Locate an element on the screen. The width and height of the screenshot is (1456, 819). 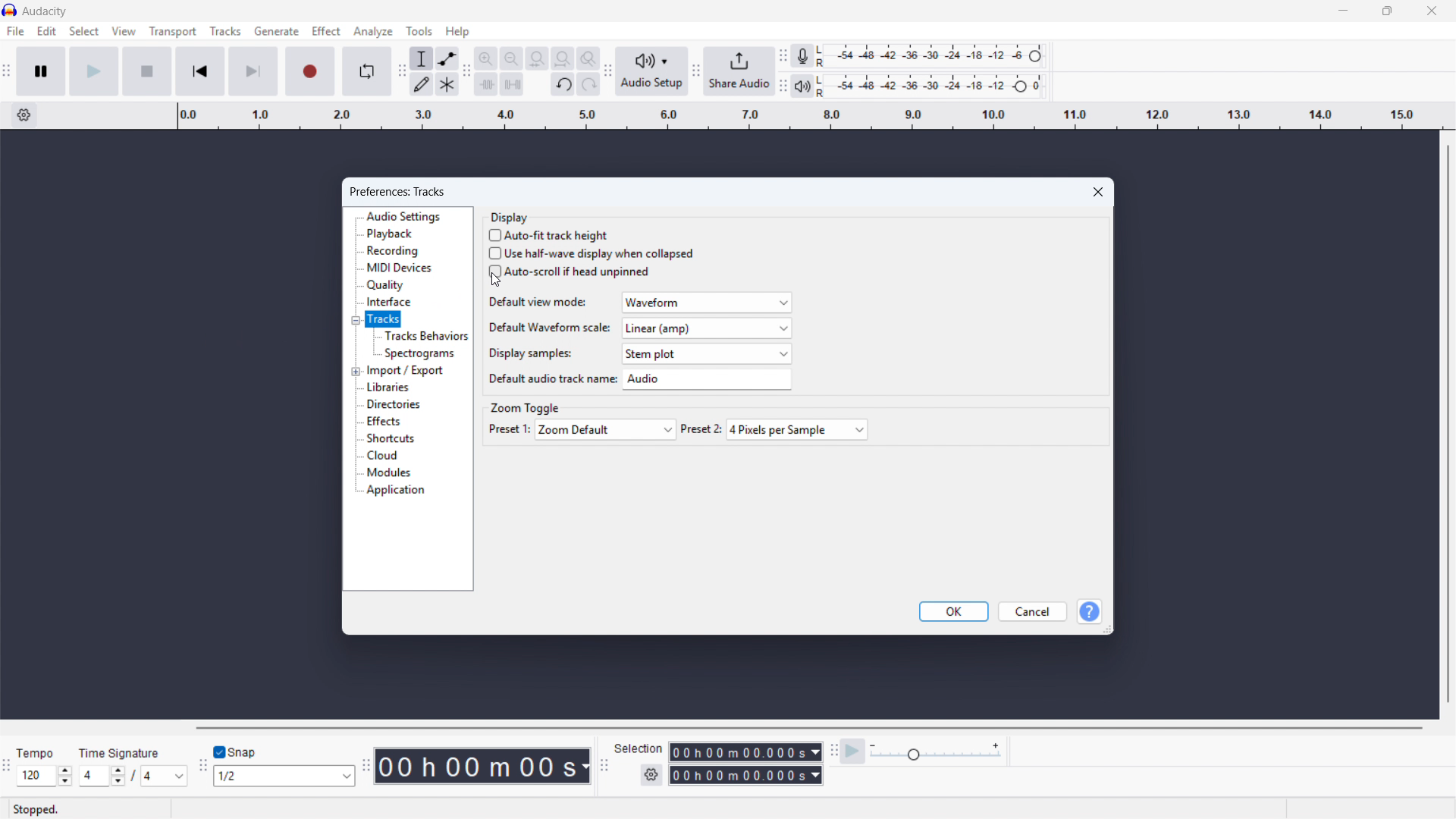
timeline is located at coordinates (808, 116).